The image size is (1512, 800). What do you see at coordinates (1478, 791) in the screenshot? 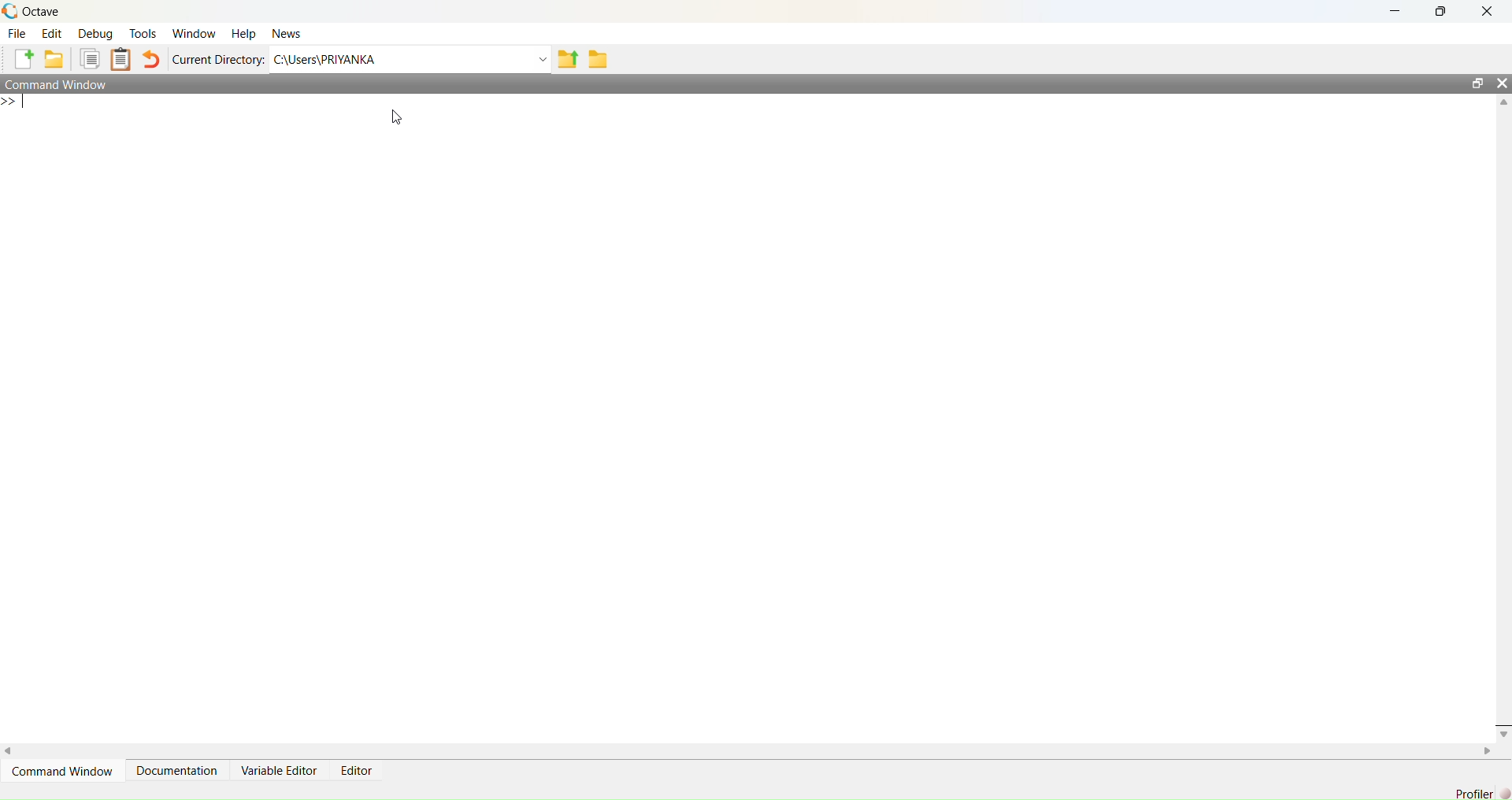
I see `Profiler` at bounding box center [1478, 791].